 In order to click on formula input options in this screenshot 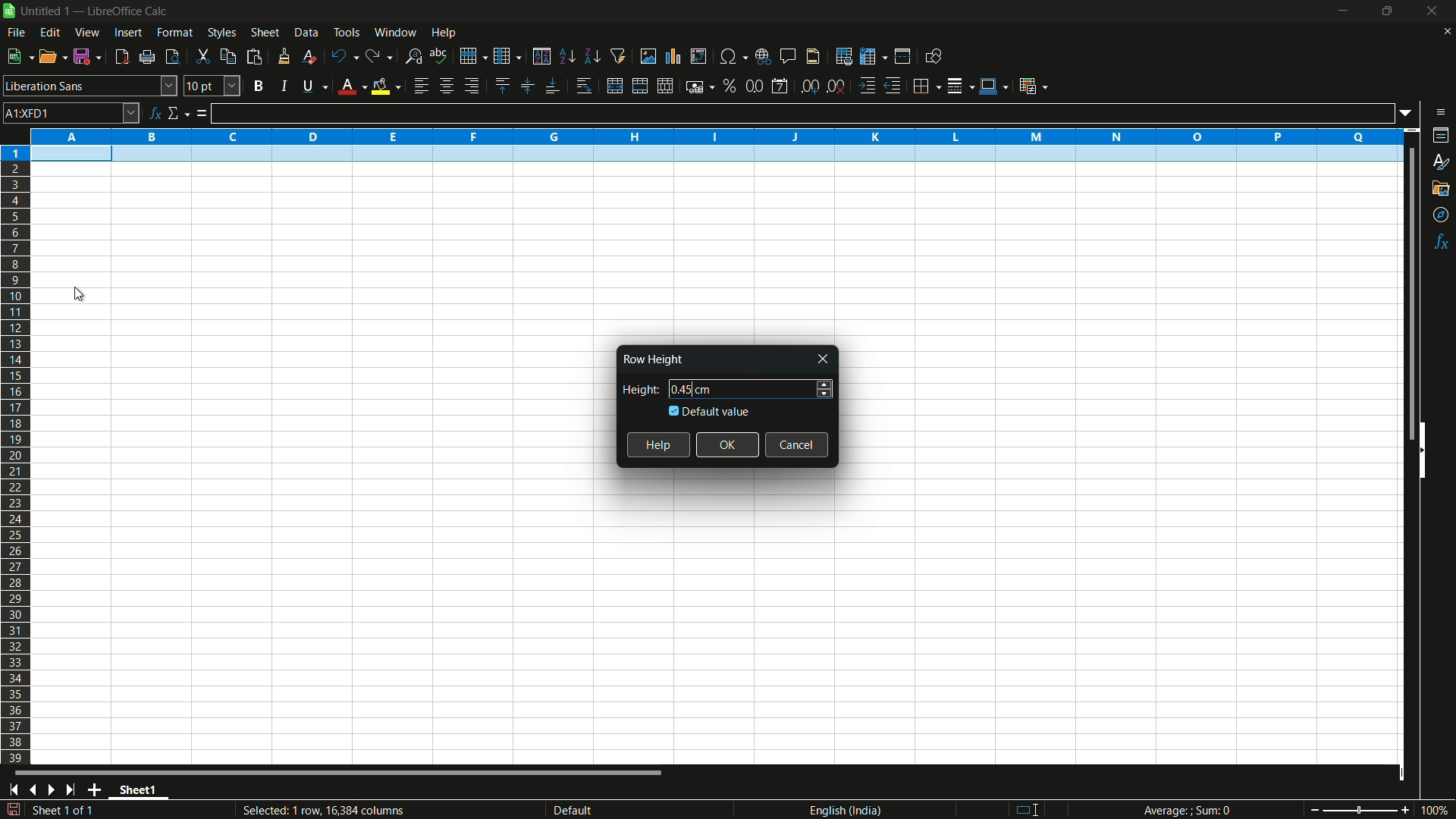, I will do `click(1410, 112)`.